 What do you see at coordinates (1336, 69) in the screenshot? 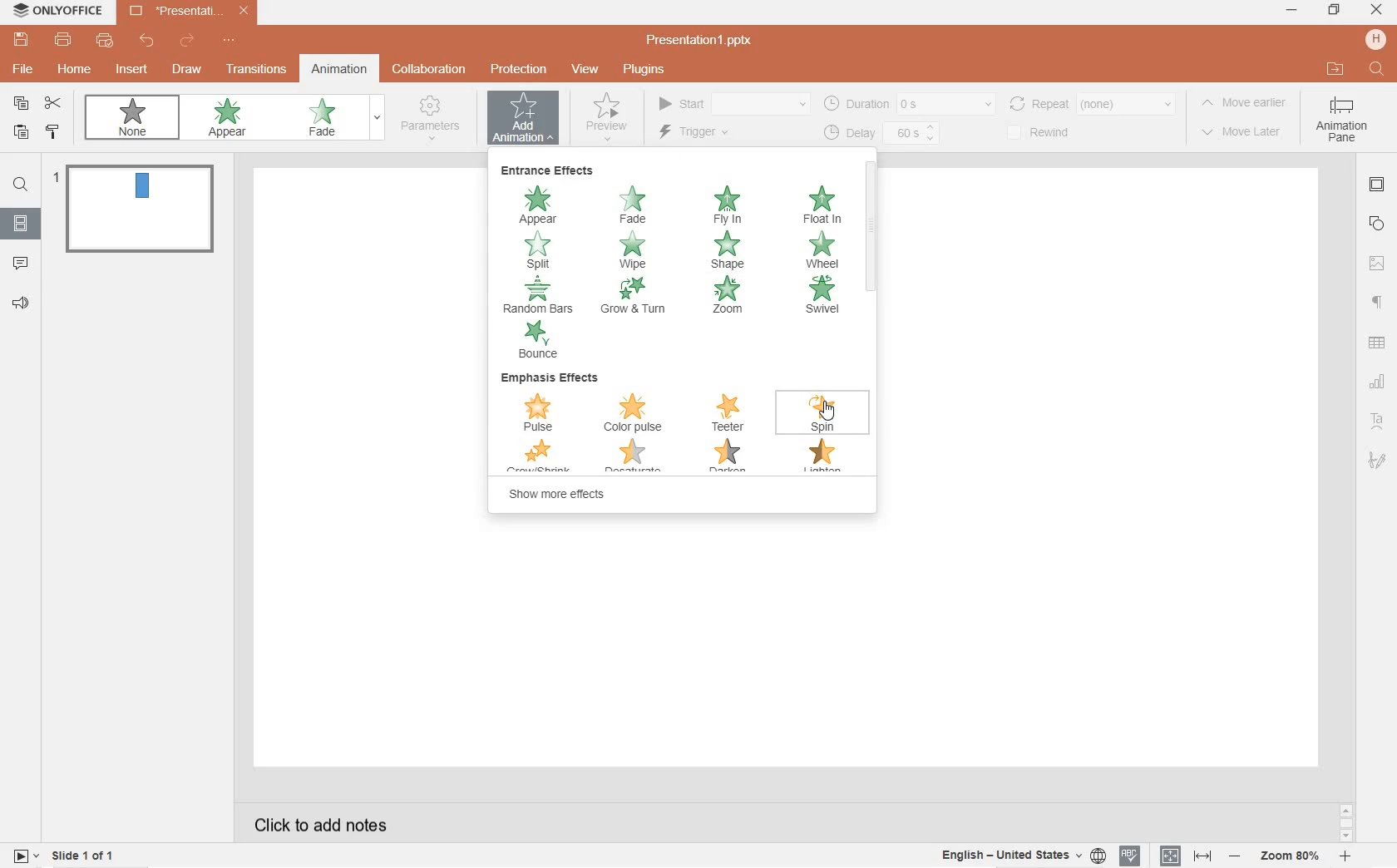
I see `OPEN FILE LOCATION` at bounding box center [1336, 69].